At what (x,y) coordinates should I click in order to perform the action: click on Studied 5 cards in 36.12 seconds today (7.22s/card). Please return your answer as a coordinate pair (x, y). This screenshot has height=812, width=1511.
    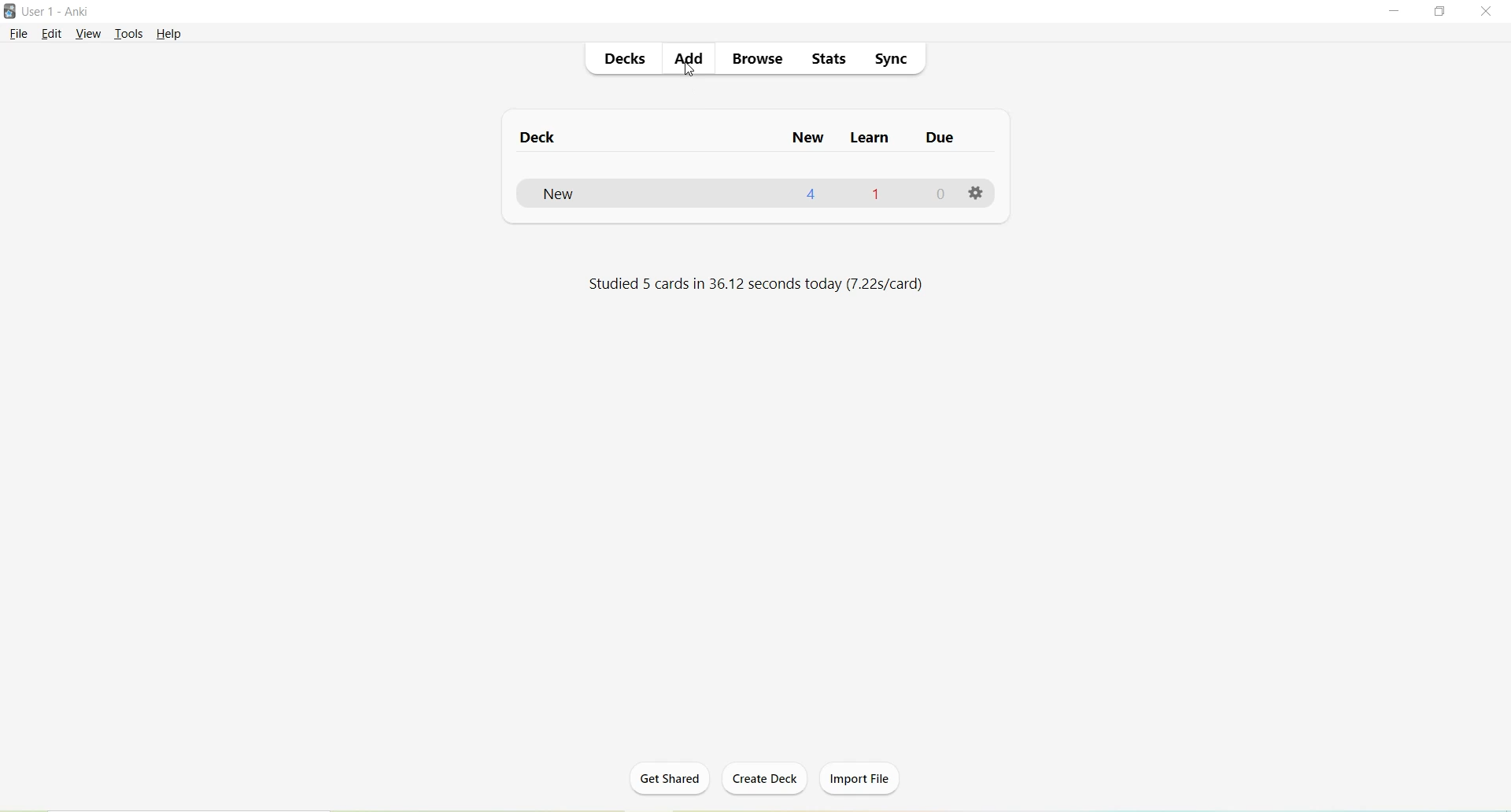
    Looking at the image, I should click on (761, 283).